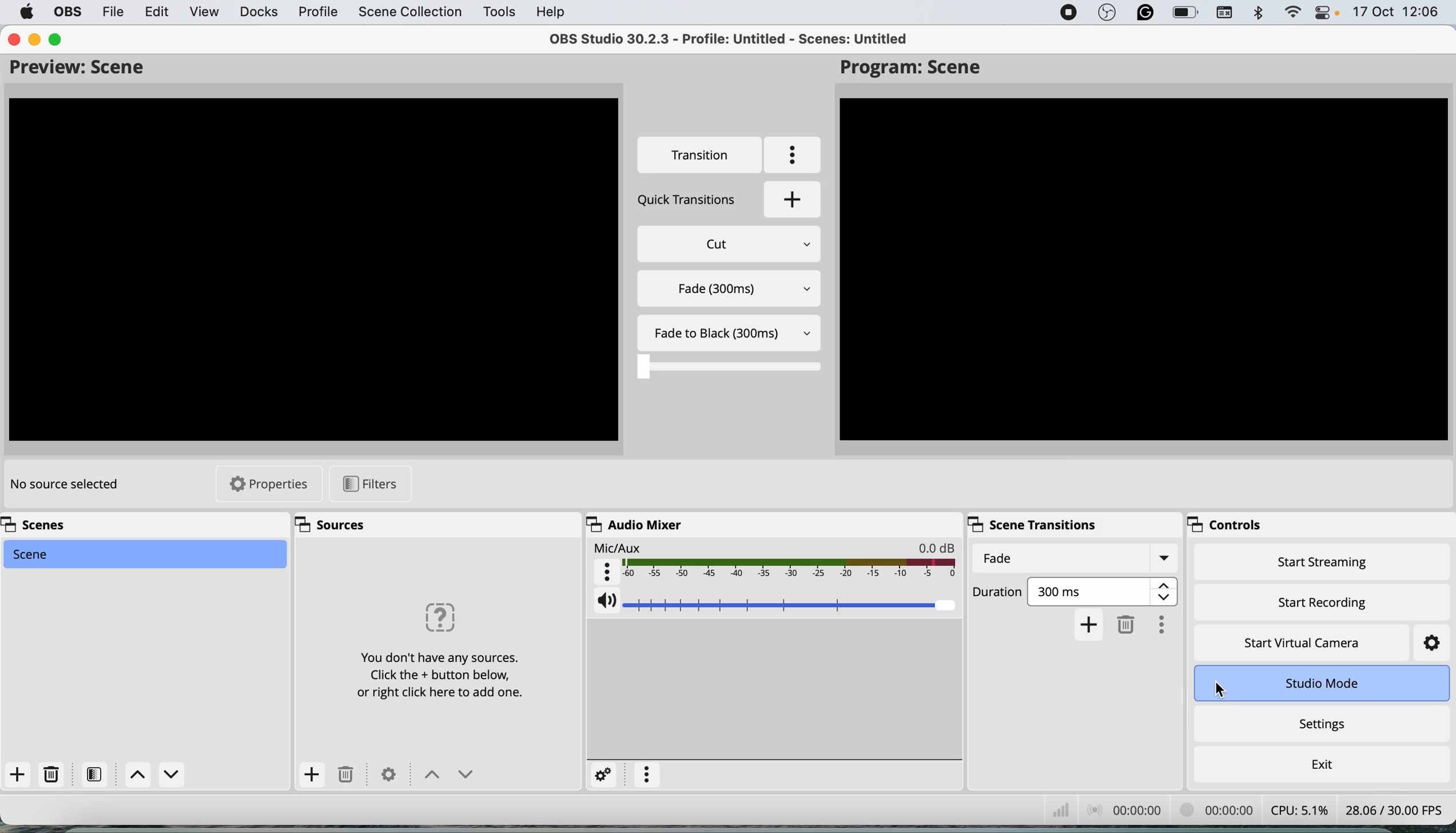 The height and width of the screenshot is (833, 1456). I want to click on settings, so click(1325, 722).